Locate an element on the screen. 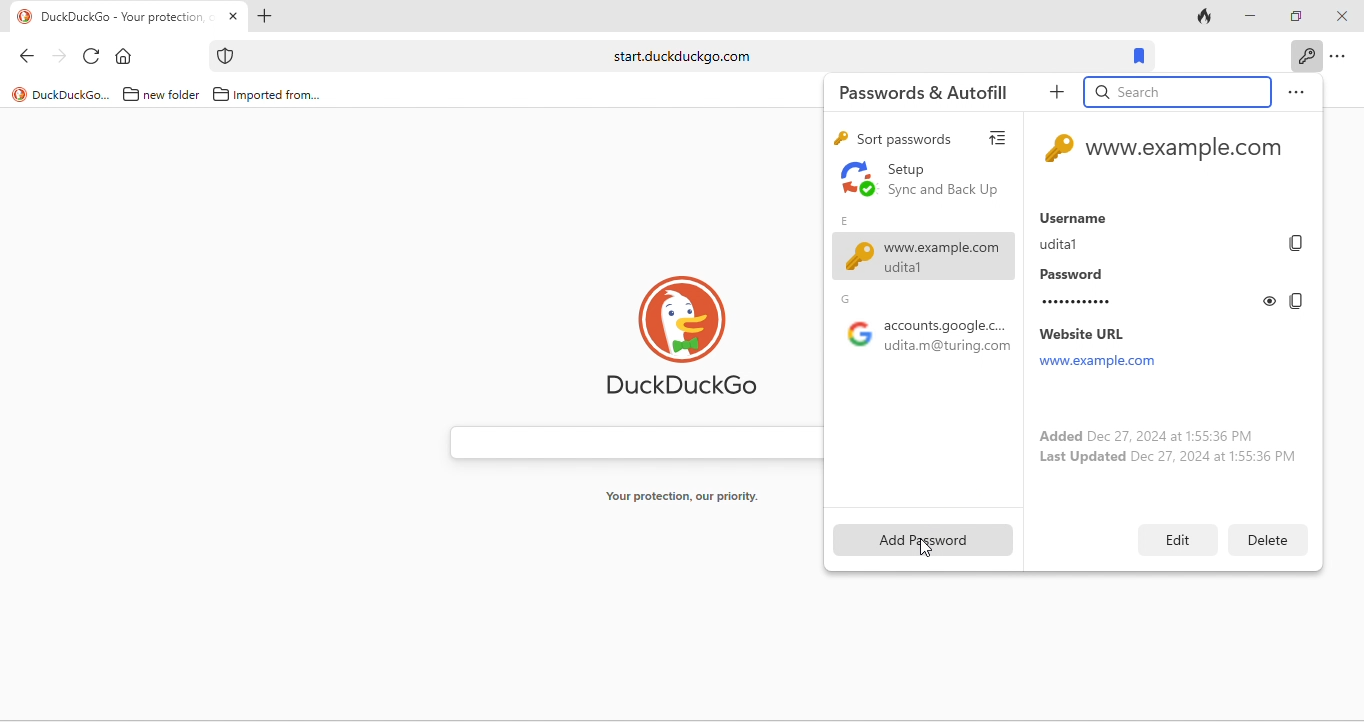 The image size is (1364, 722). option is located at coordinates (1340, 56).